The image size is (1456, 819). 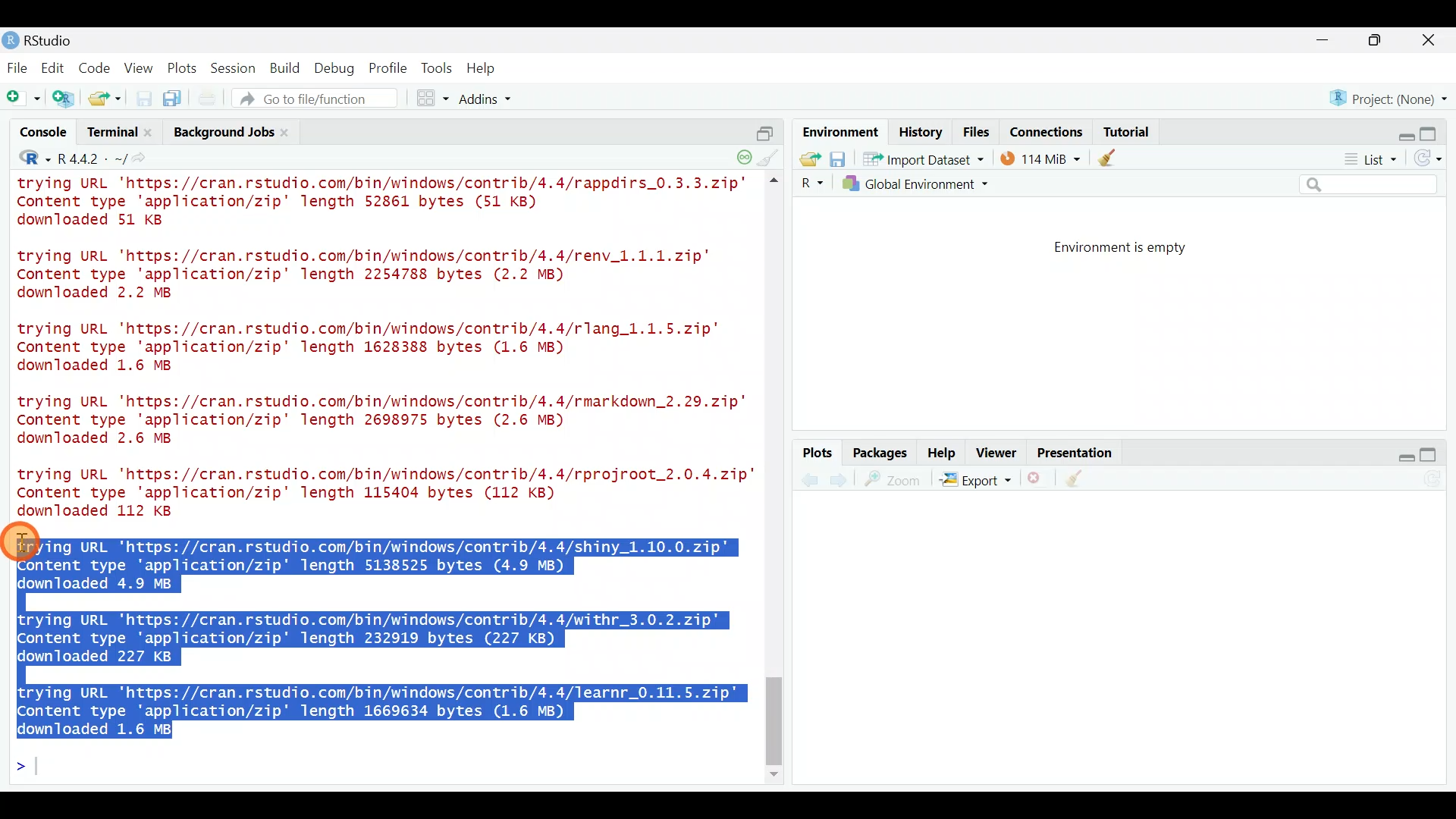 What do you see at coordinates (236, 67) in the screenshot?
I see `Session` at bounding box center [236, 67].